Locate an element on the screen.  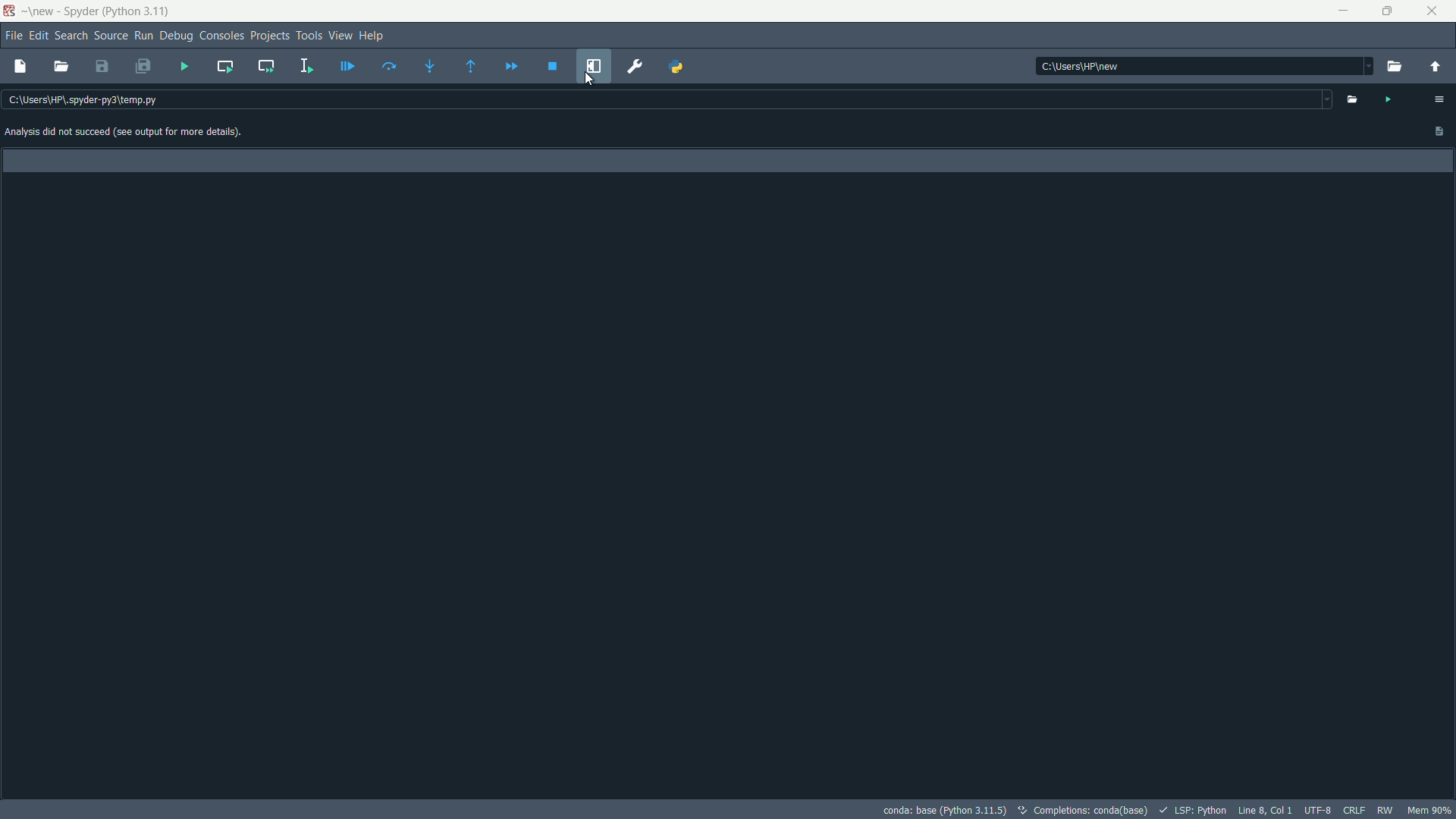
run current line is located at coordinates (392, 65).